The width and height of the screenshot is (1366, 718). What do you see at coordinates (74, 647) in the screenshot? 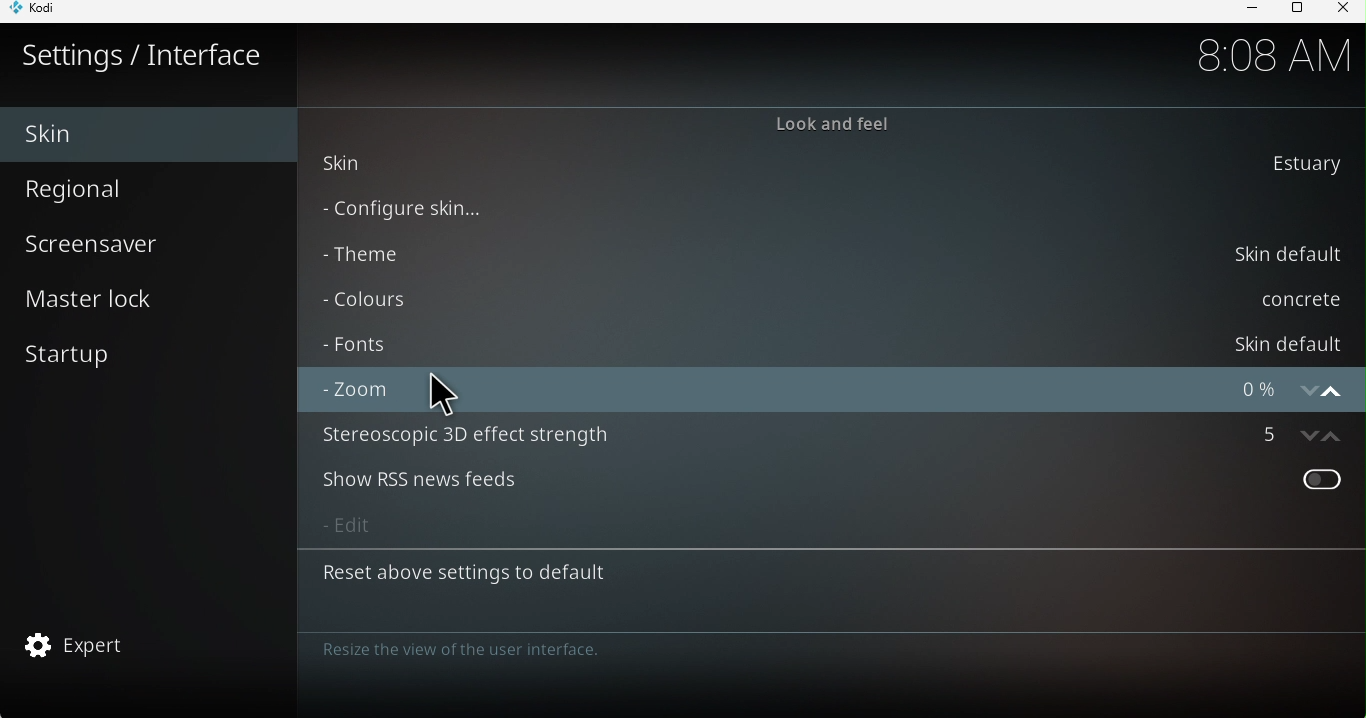
I see `Expert` at bounding box center [74, 647].